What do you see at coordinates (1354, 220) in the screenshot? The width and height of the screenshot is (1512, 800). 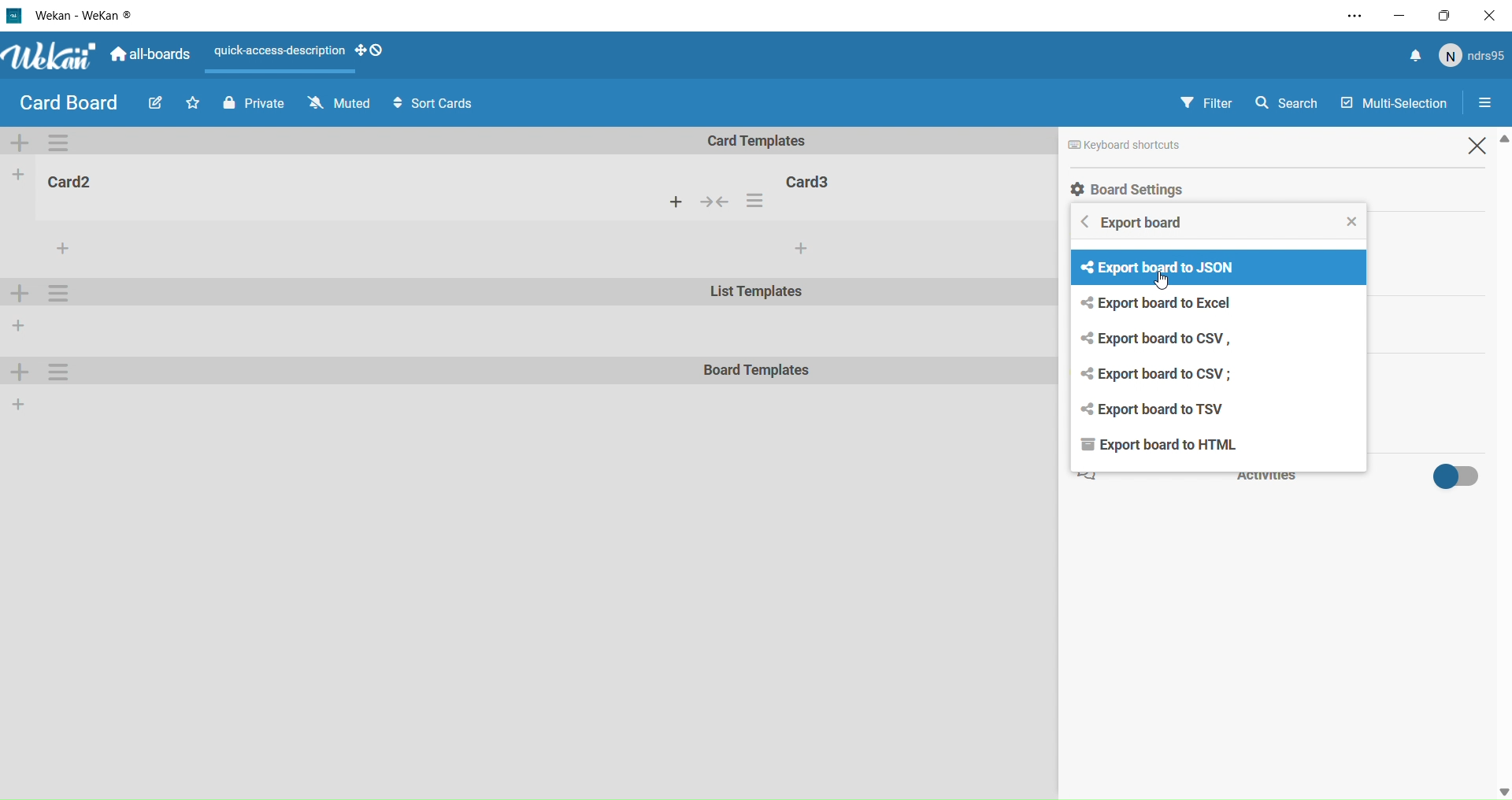 I see `close` at bounding box center [1354, 220].